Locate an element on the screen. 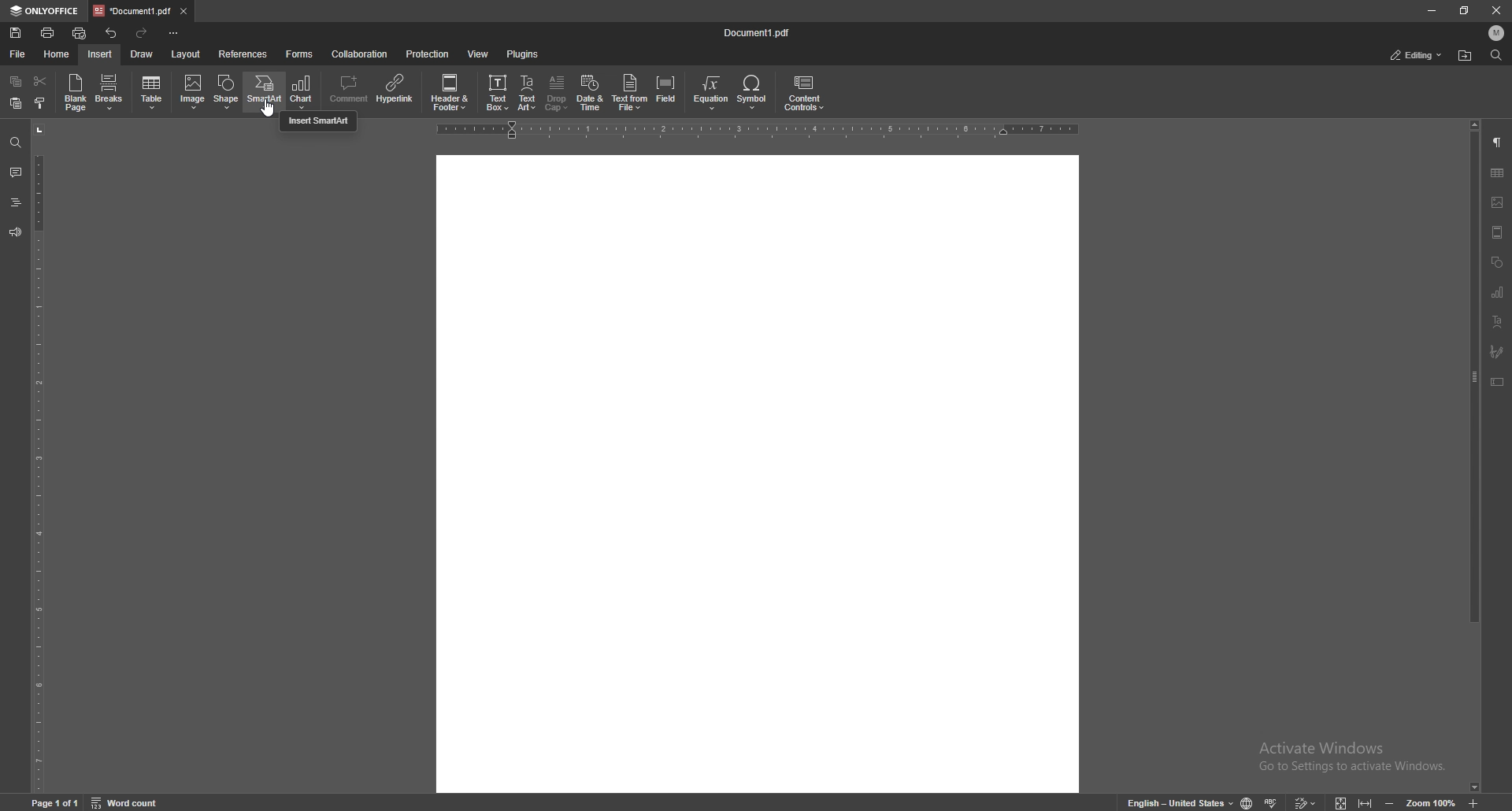 This screenshot has width=1512, height=811. header and footer is located at coordinates (1499, 233).